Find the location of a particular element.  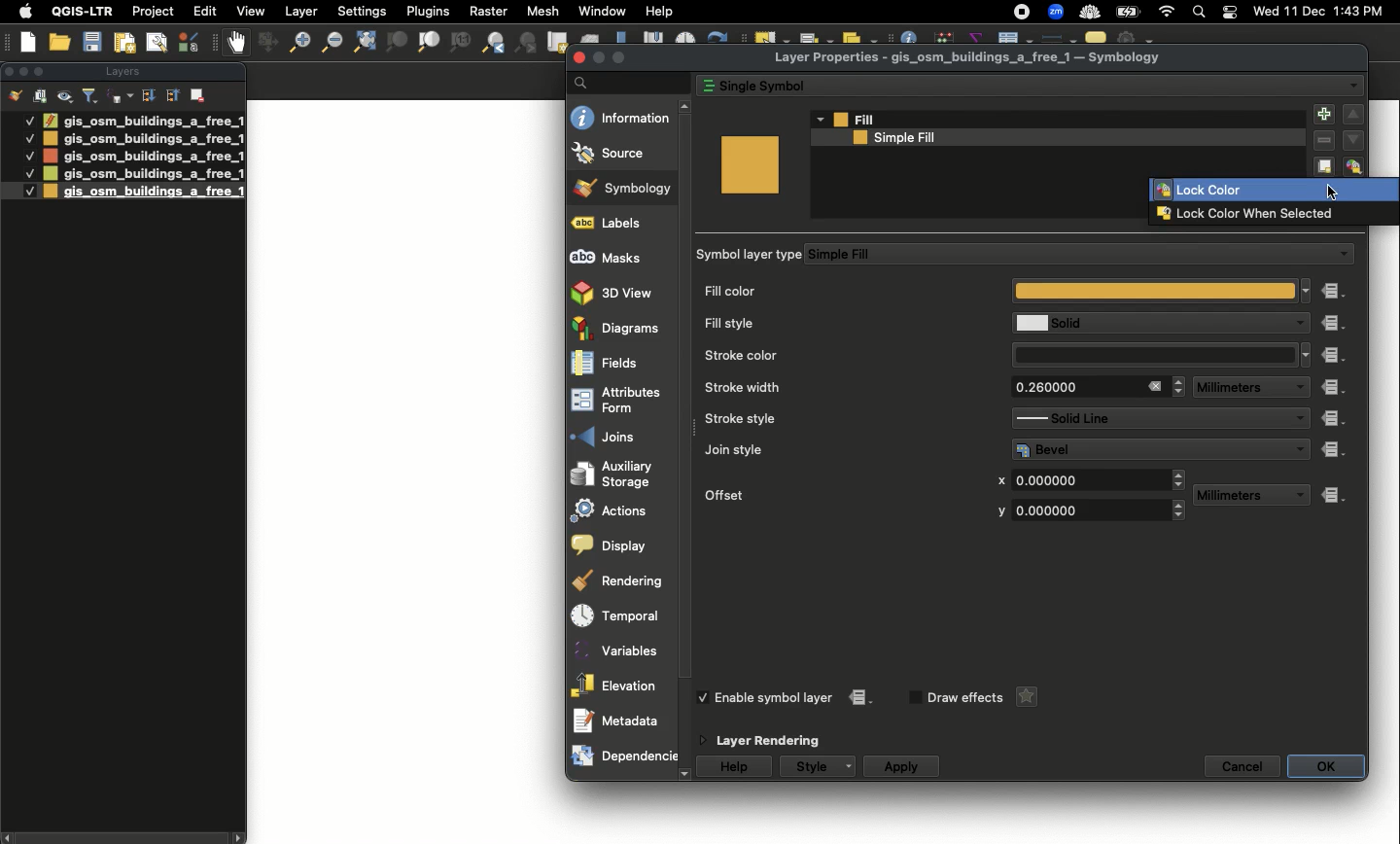

Open is located at coordinates (62, 43).